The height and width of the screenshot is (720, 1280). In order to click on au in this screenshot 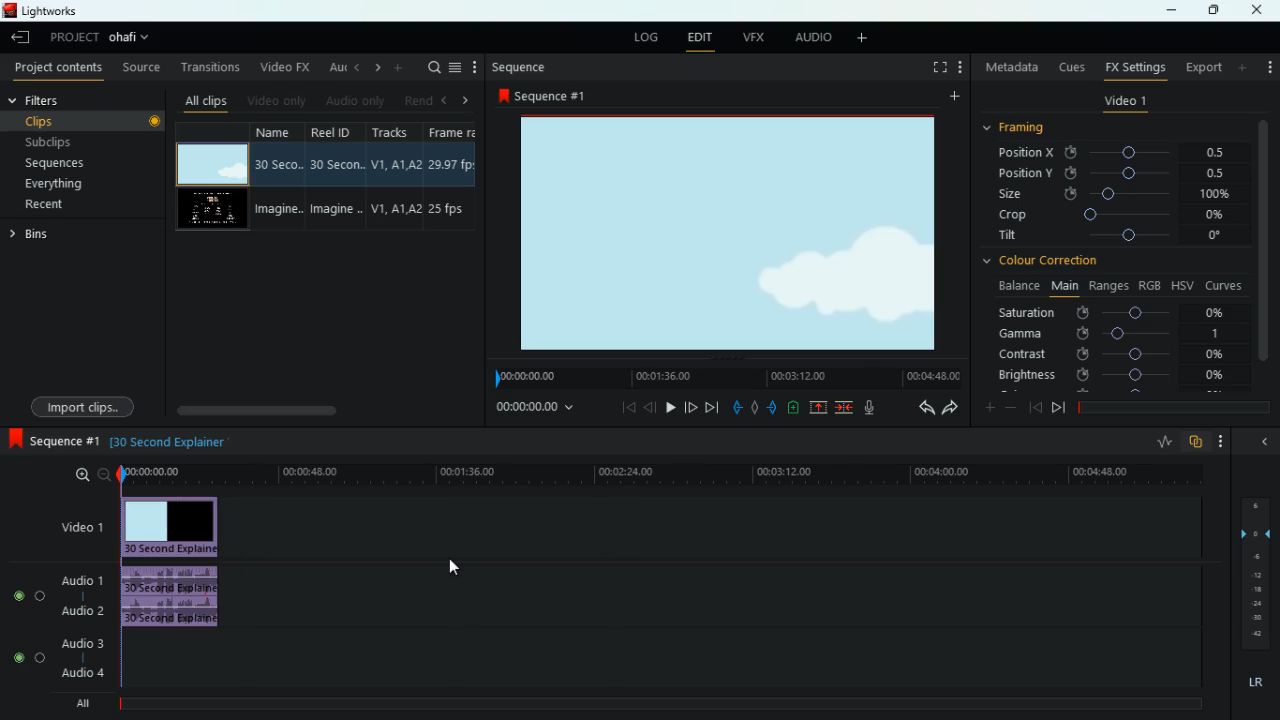, I will do `click(331, 67)`.